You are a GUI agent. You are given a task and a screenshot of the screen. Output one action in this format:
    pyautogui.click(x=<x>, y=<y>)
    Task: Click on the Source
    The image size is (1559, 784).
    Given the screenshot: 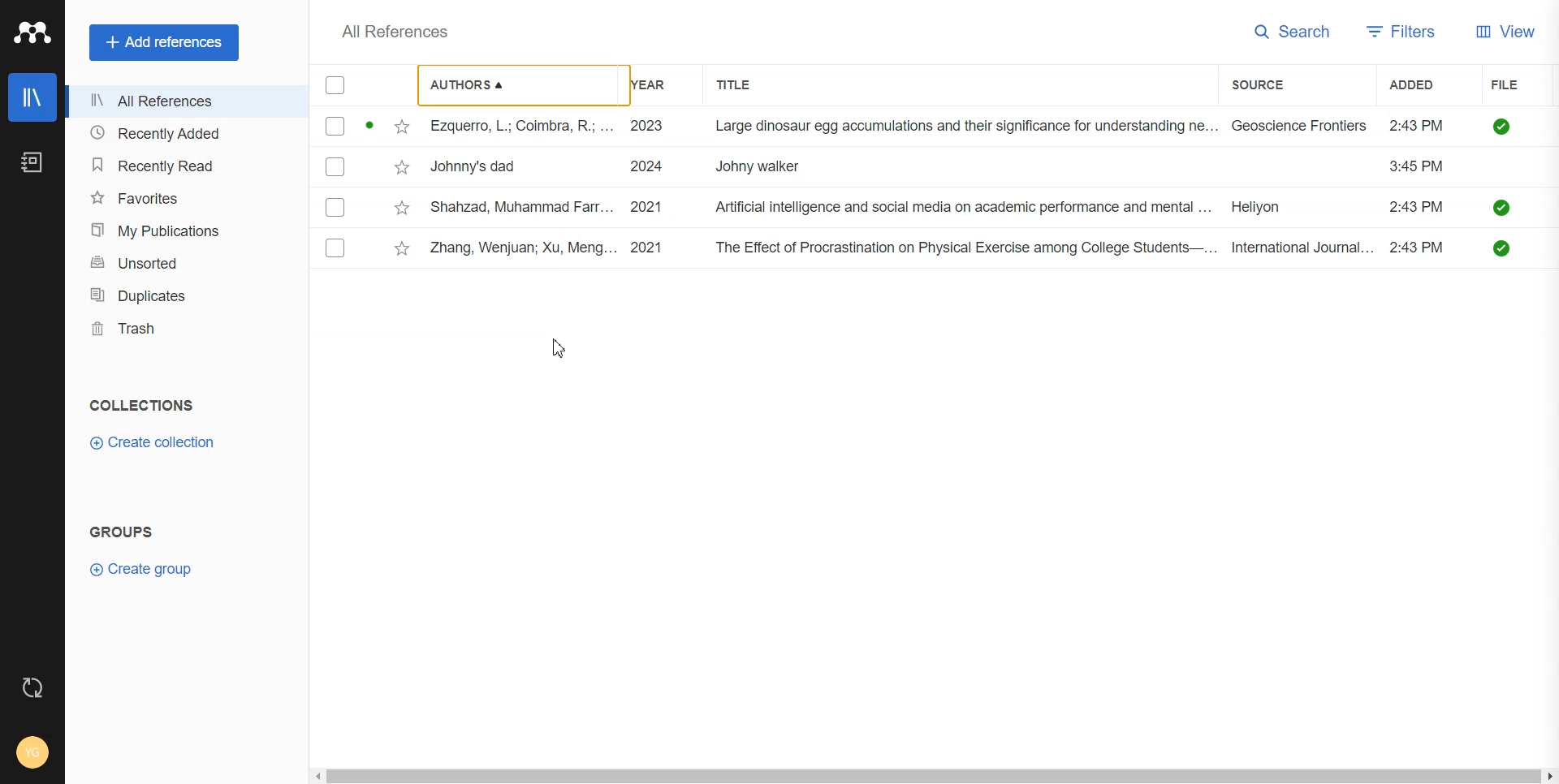 What is the action you would take?
    pyautogui.click(x=1282, y=84)
    